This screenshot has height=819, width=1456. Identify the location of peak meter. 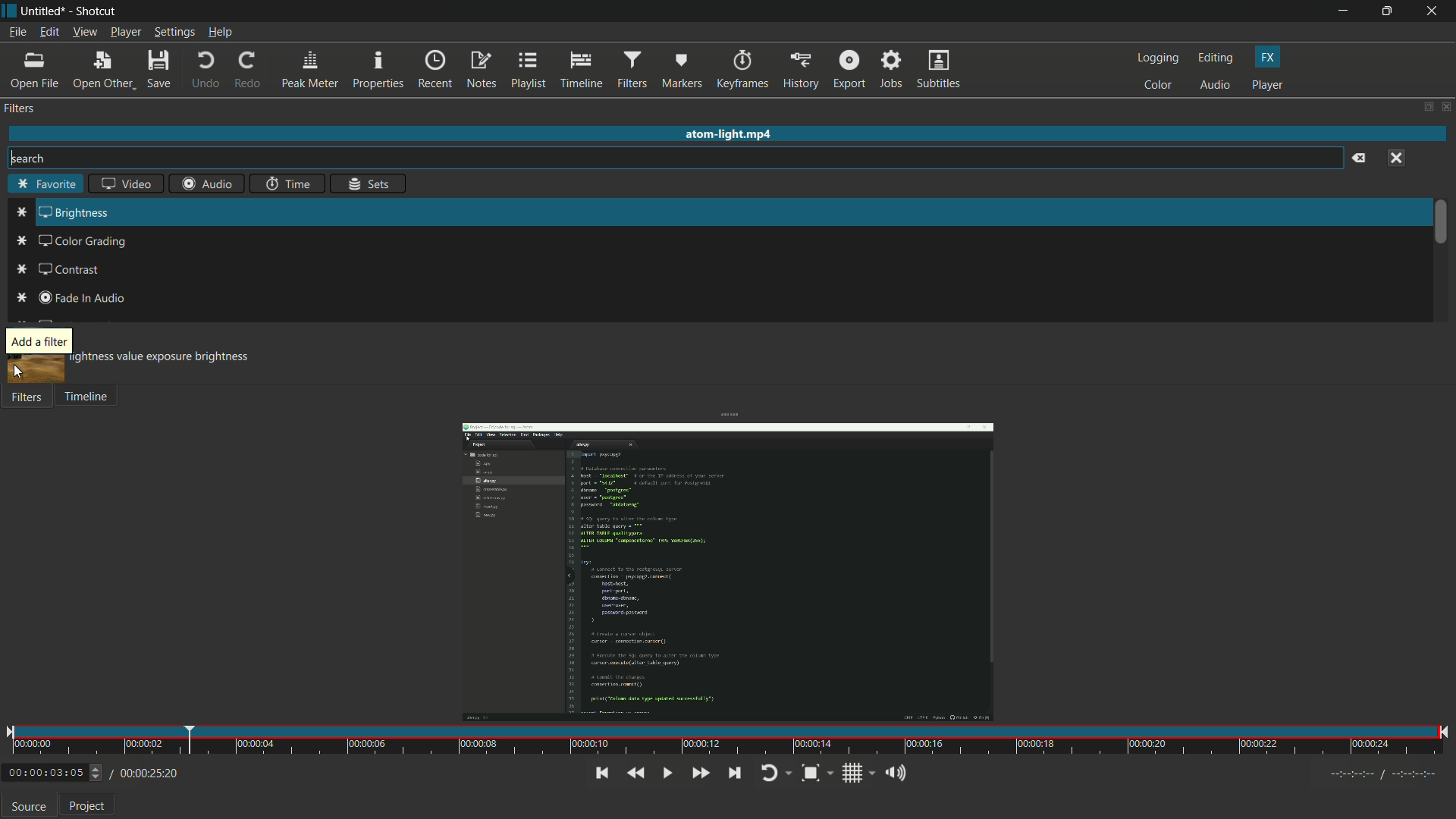
(310, 70).